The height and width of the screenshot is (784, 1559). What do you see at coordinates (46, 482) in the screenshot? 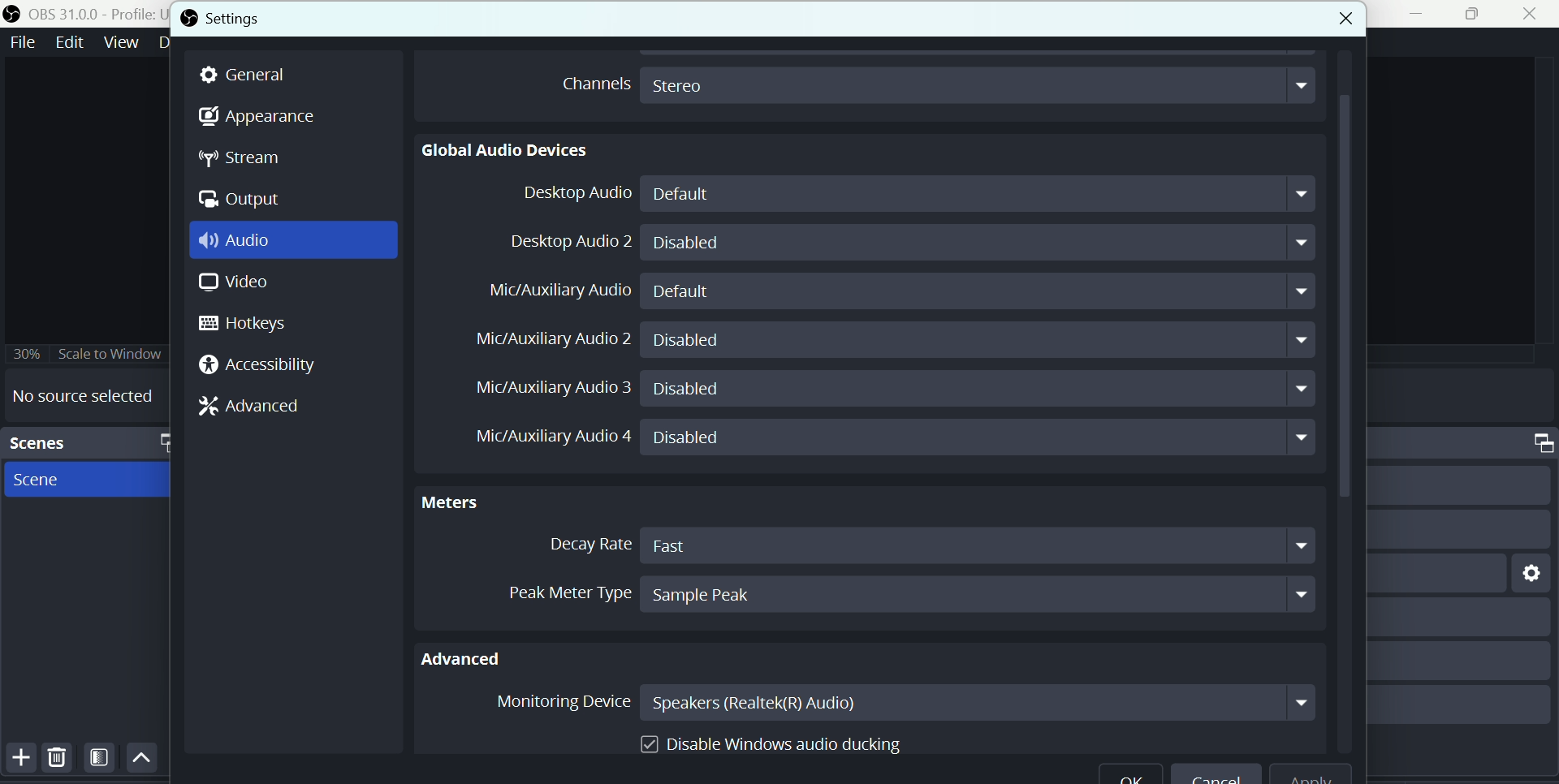
I see `Scene` at bounding box center [46, 482].